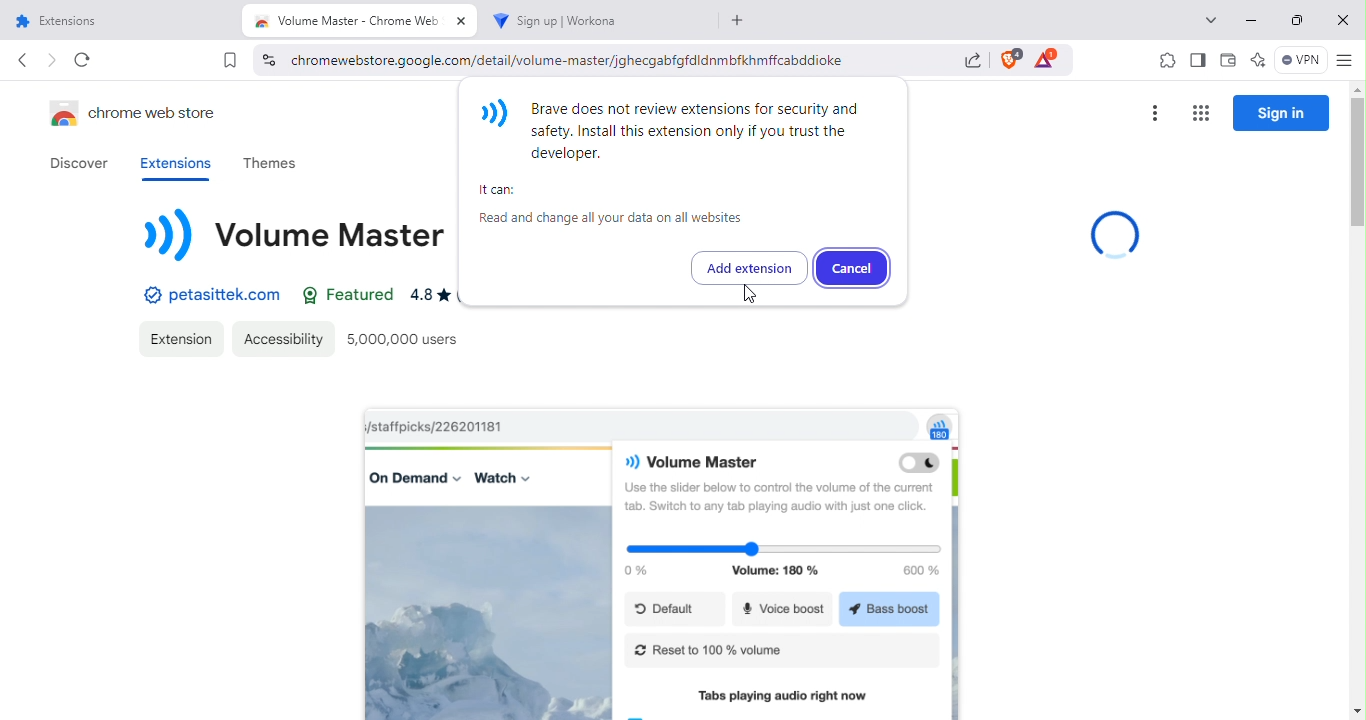 The height and width of the screenshot is (720, 1366). I want to click on Wallet, so click(1229, 59).